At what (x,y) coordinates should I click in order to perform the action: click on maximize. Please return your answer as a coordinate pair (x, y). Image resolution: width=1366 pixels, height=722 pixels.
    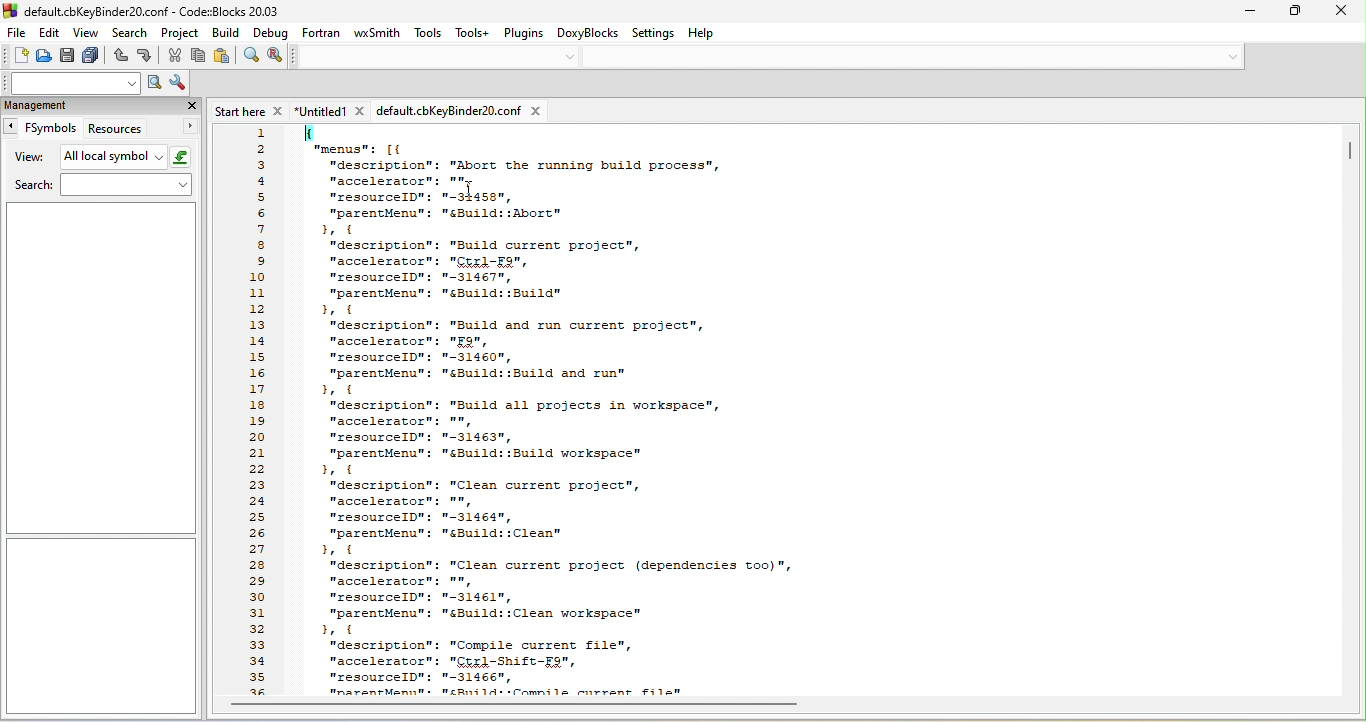
    Looking at the image, I should click on (1289, 13).